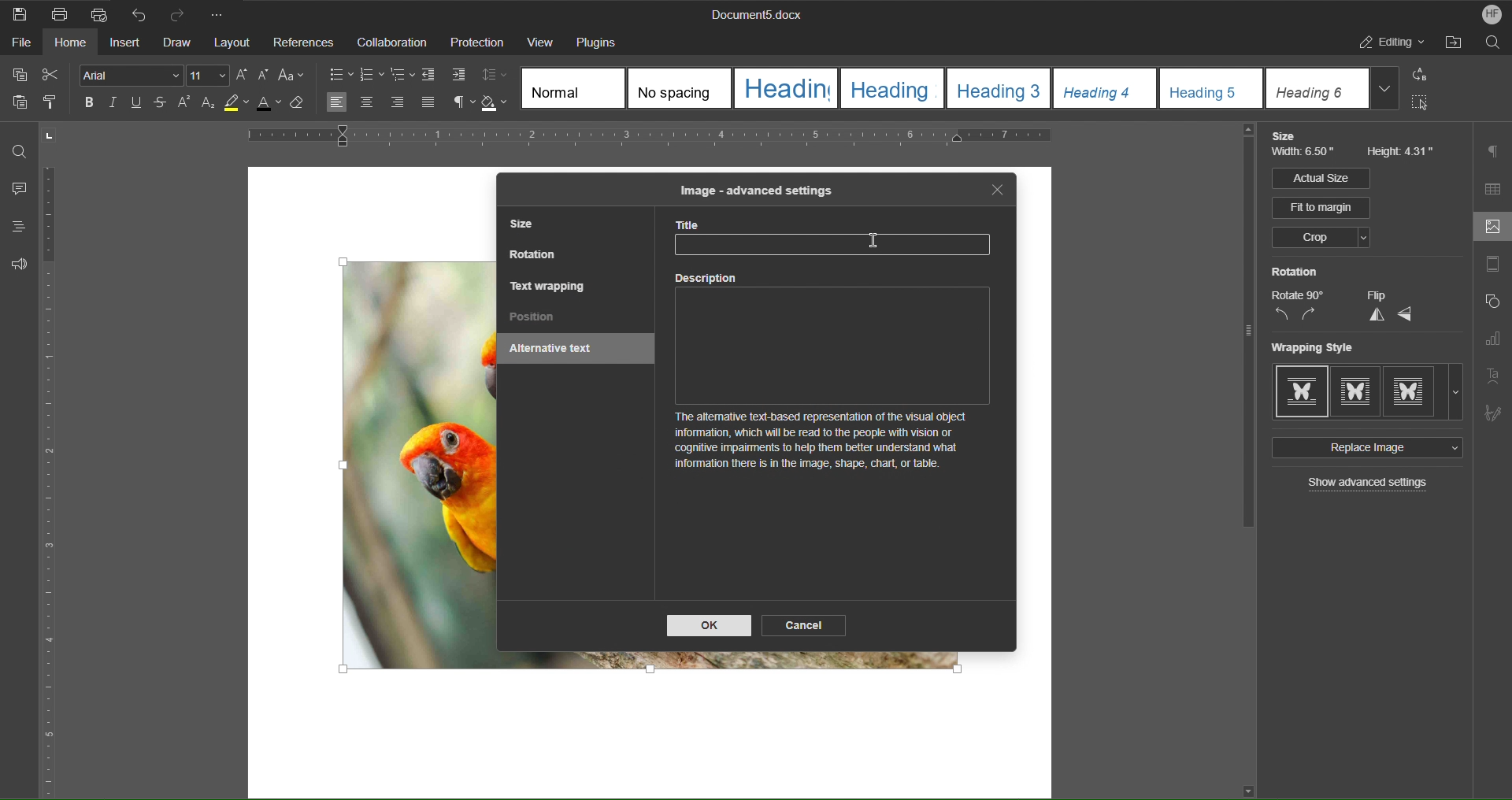 This screenshot has height=800, width=1512. What do you see at coordinates (447, 76) in the screenshot?
I see `Indents` at bounding box center [447, 76].